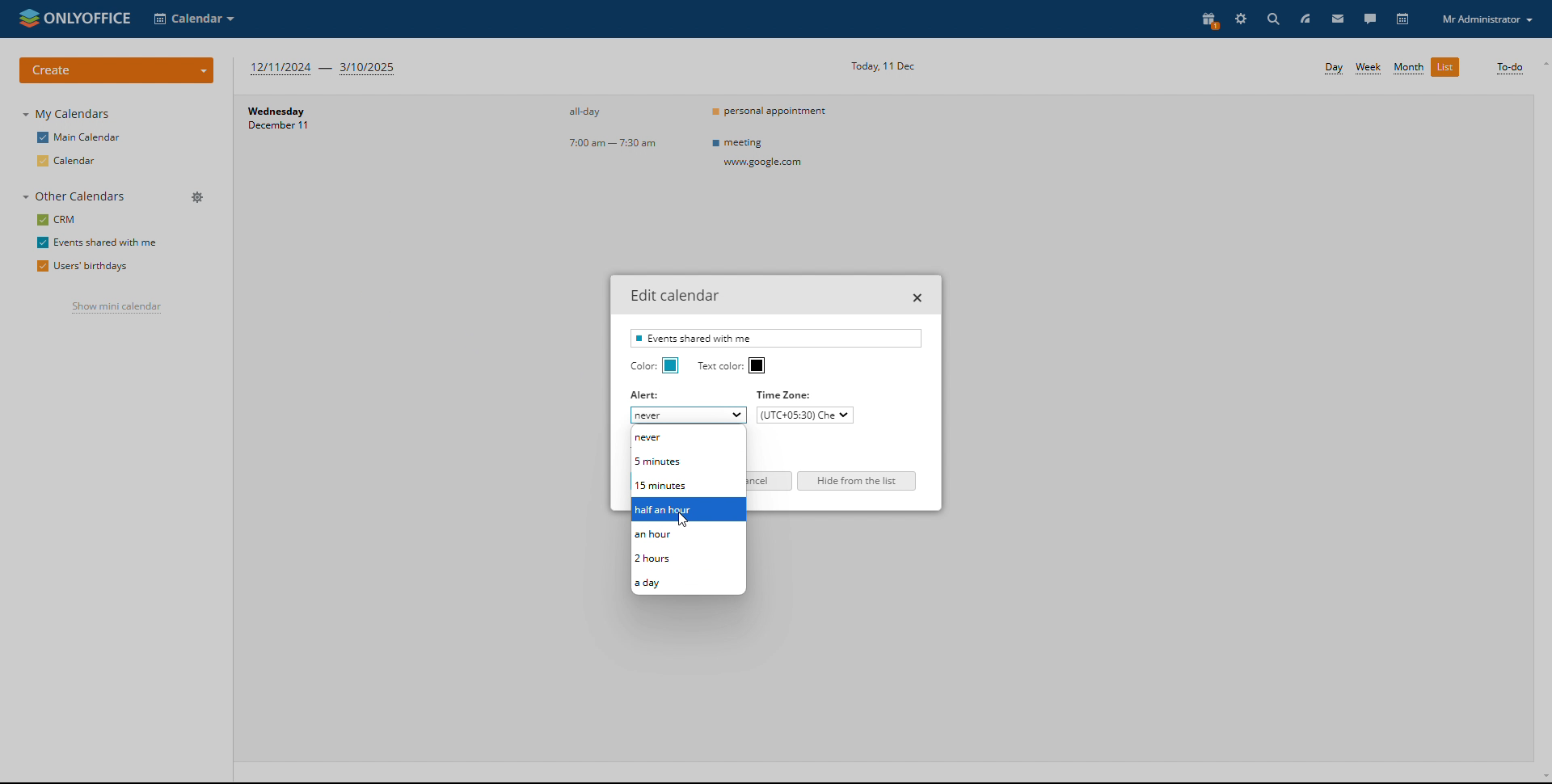  What do you see at coordinates (789, 394) in the screenshot?
I see `timezone` at bounding box center [789, 394].